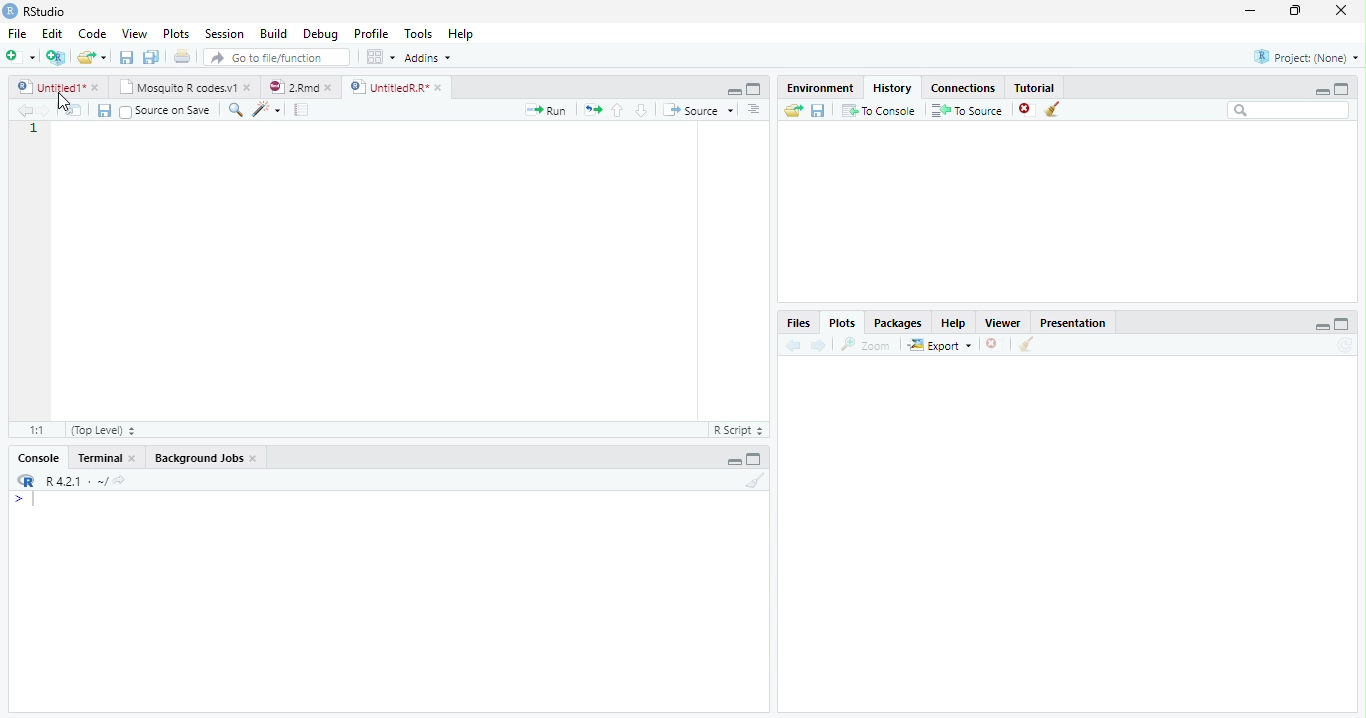 This screenshot has width=1366, height=718. Describe the element at coordinates (1035, 87) in the screenshot. I see `Tutorial` at that location.